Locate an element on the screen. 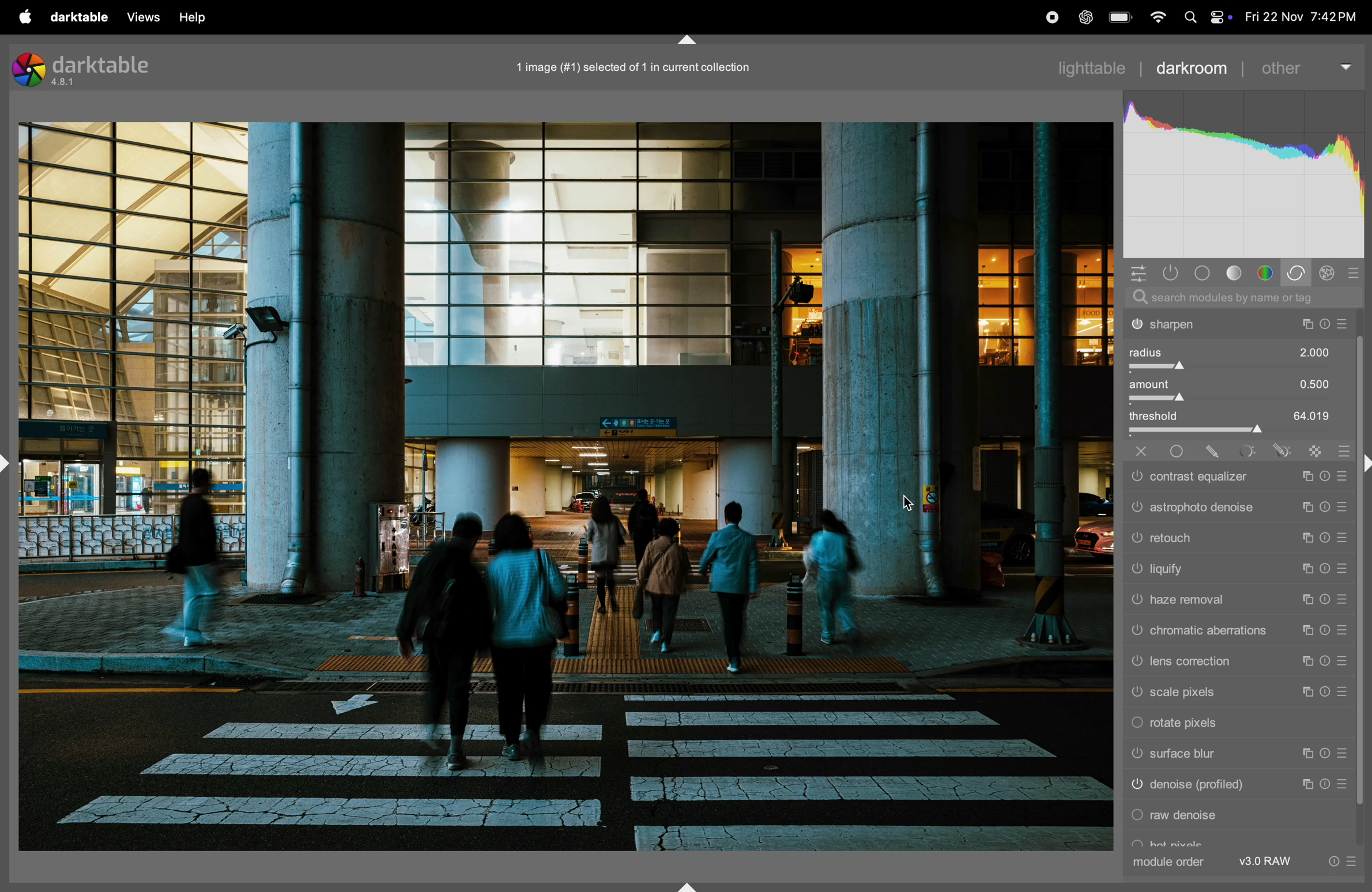 The image size is (1372, 892). shift+ctrl+t is located at coordinates (689, 40).